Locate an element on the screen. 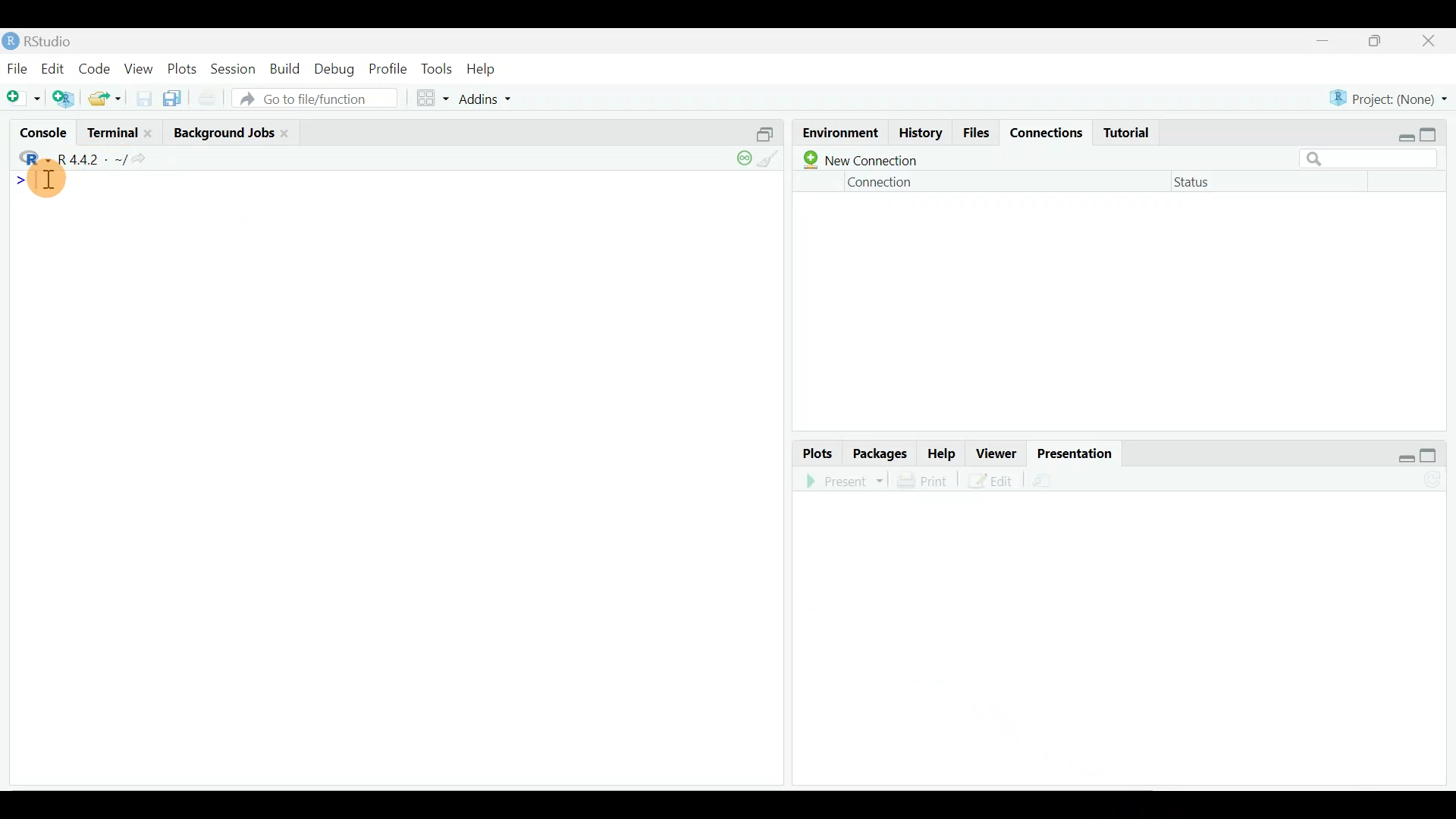 This screenshot has height=819, width=1456. RStudio is located at coordinates (42, 42).